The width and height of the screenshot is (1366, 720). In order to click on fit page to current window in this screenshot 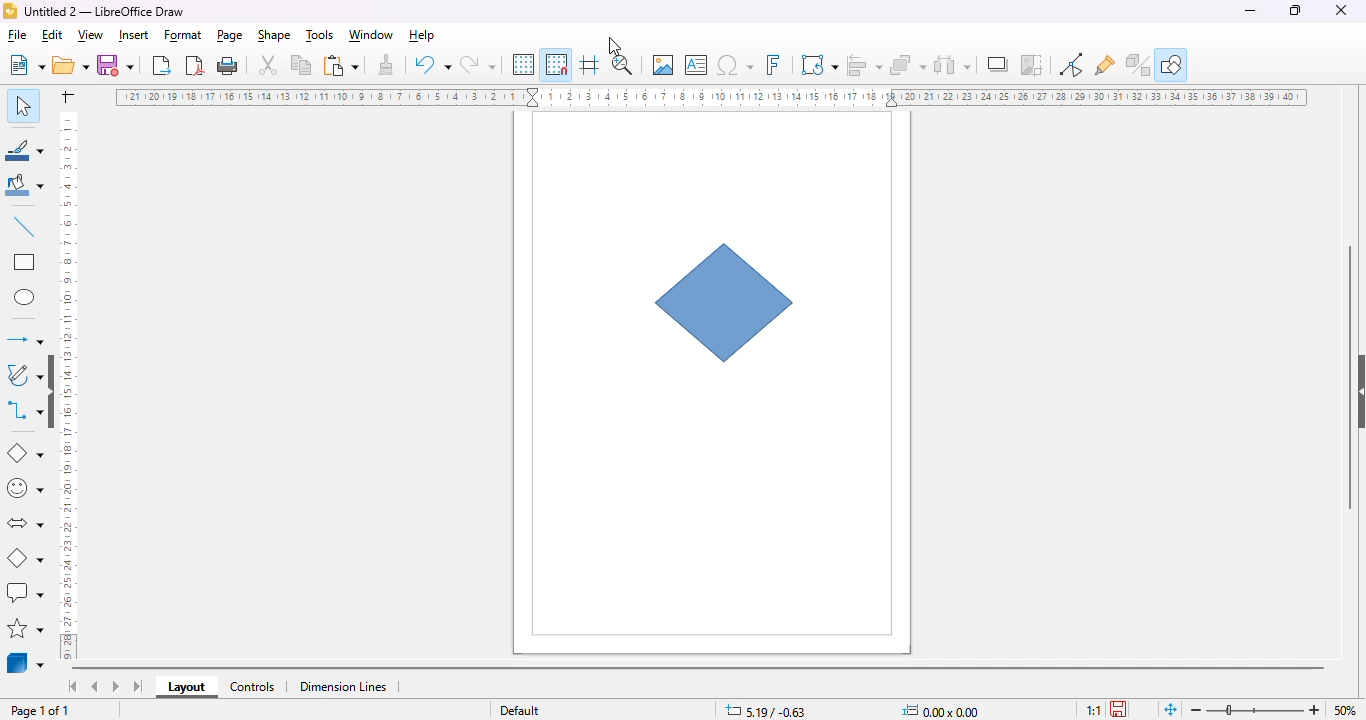, I will do `click(1170, 709)`.